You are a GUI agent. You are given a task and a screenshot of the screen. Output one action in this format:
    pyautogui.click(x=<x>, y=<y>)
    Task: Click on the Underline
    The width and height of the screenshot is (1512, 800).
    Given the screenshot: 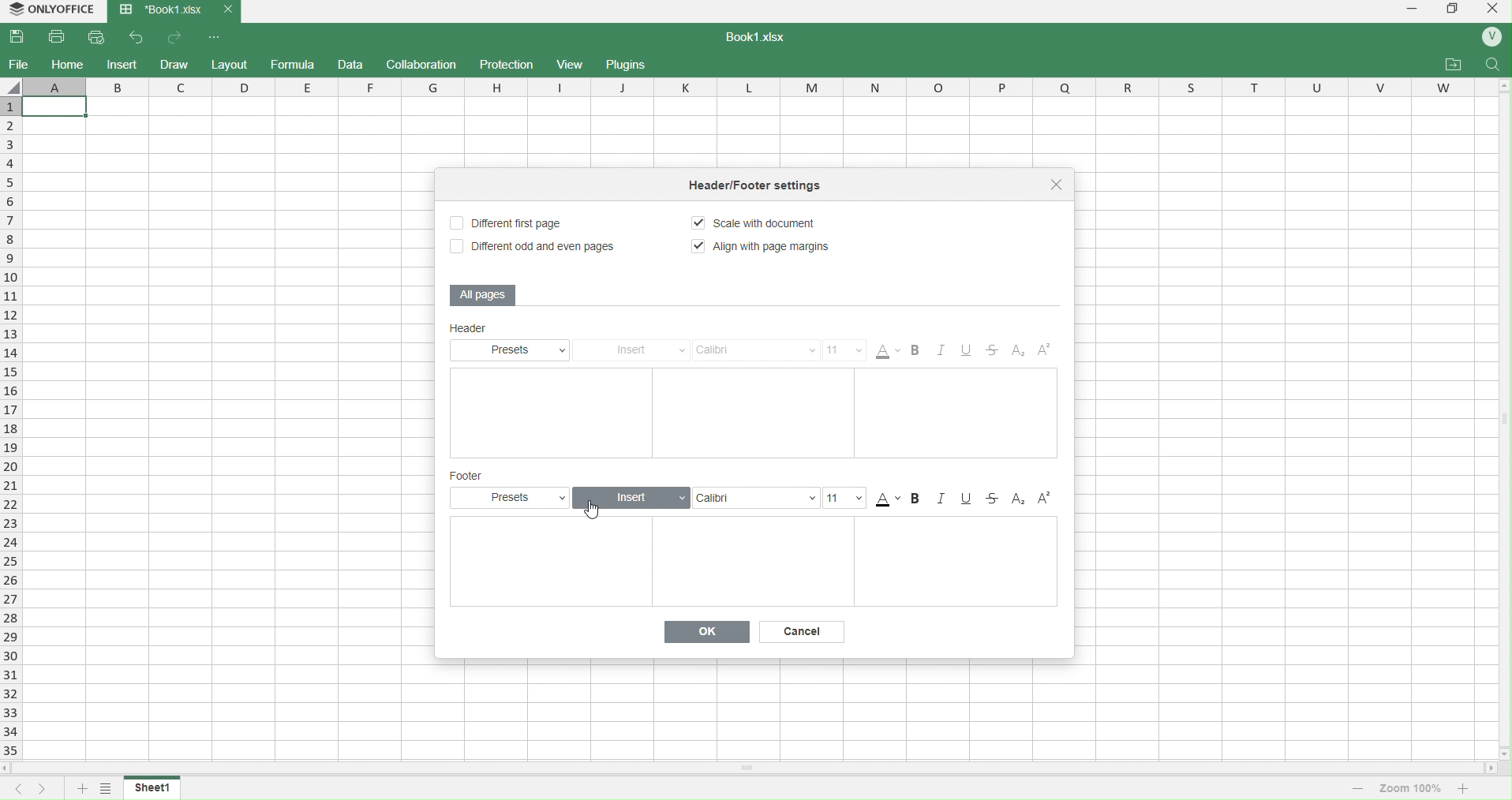 What is the action you would take?
    pyautogui.click(x=972, y=352)
    